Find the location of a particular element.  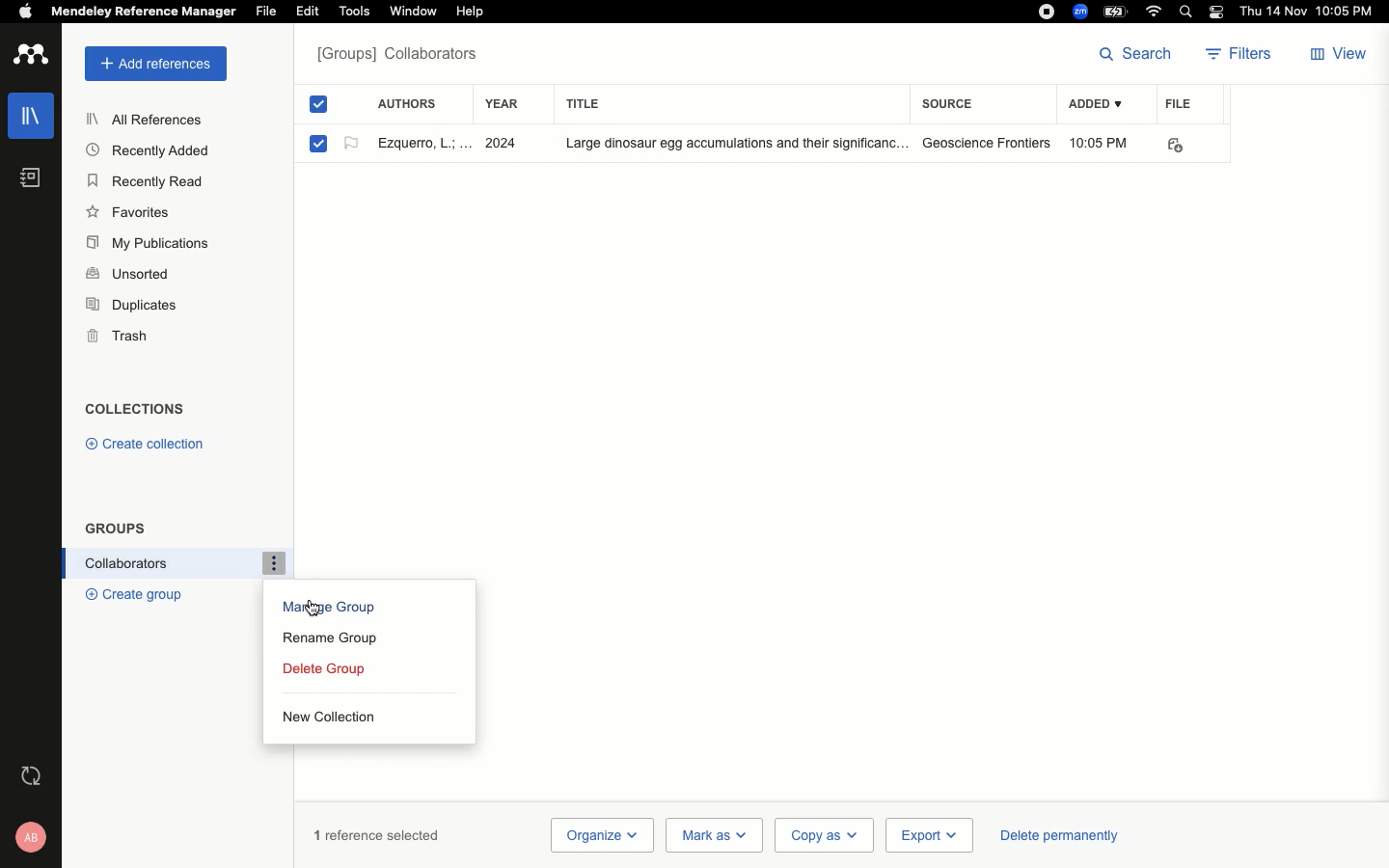

Paper selected is located at coordinates (318, 107).